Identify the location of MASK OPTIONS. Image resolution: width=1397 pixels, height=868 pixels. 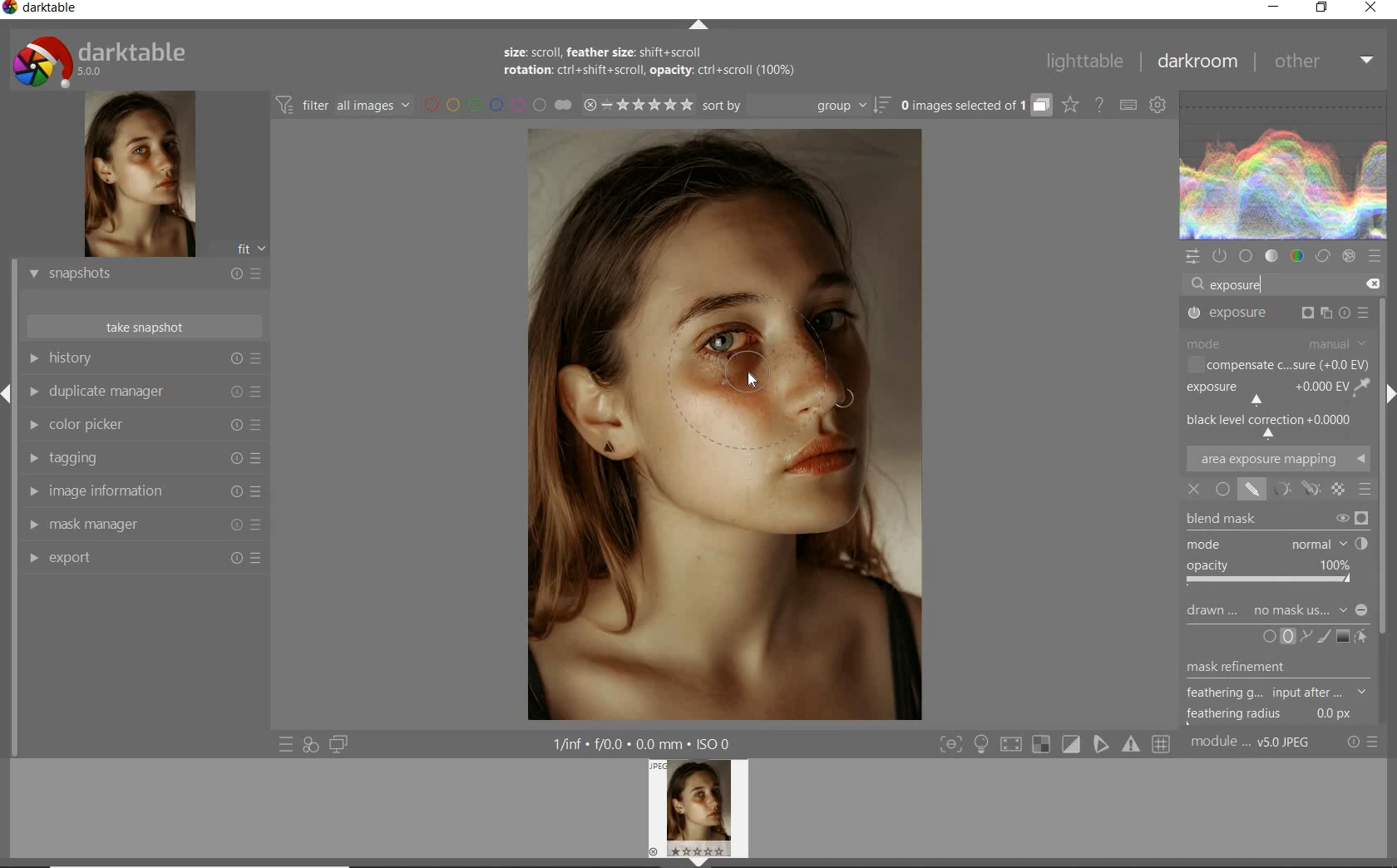
(1310, 490).